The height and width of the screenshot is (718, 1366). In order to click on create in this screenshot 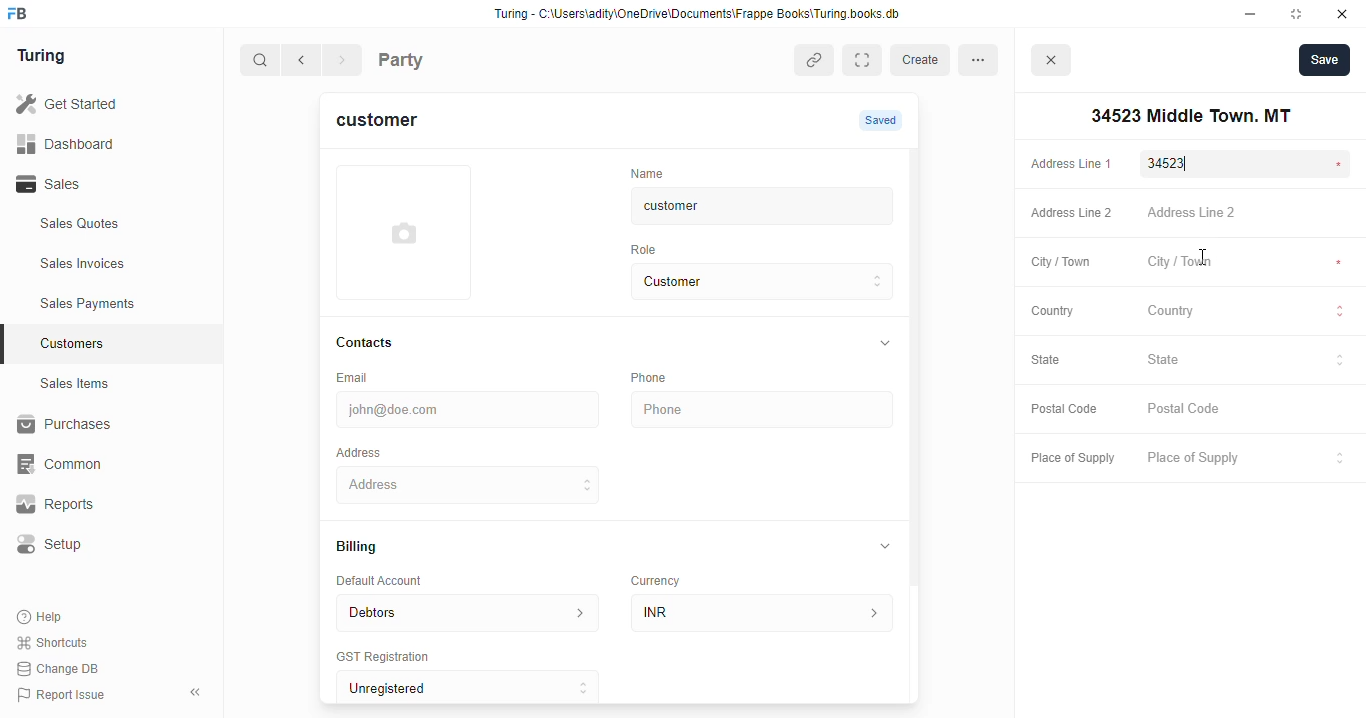, I will do `click(923, 60)`.